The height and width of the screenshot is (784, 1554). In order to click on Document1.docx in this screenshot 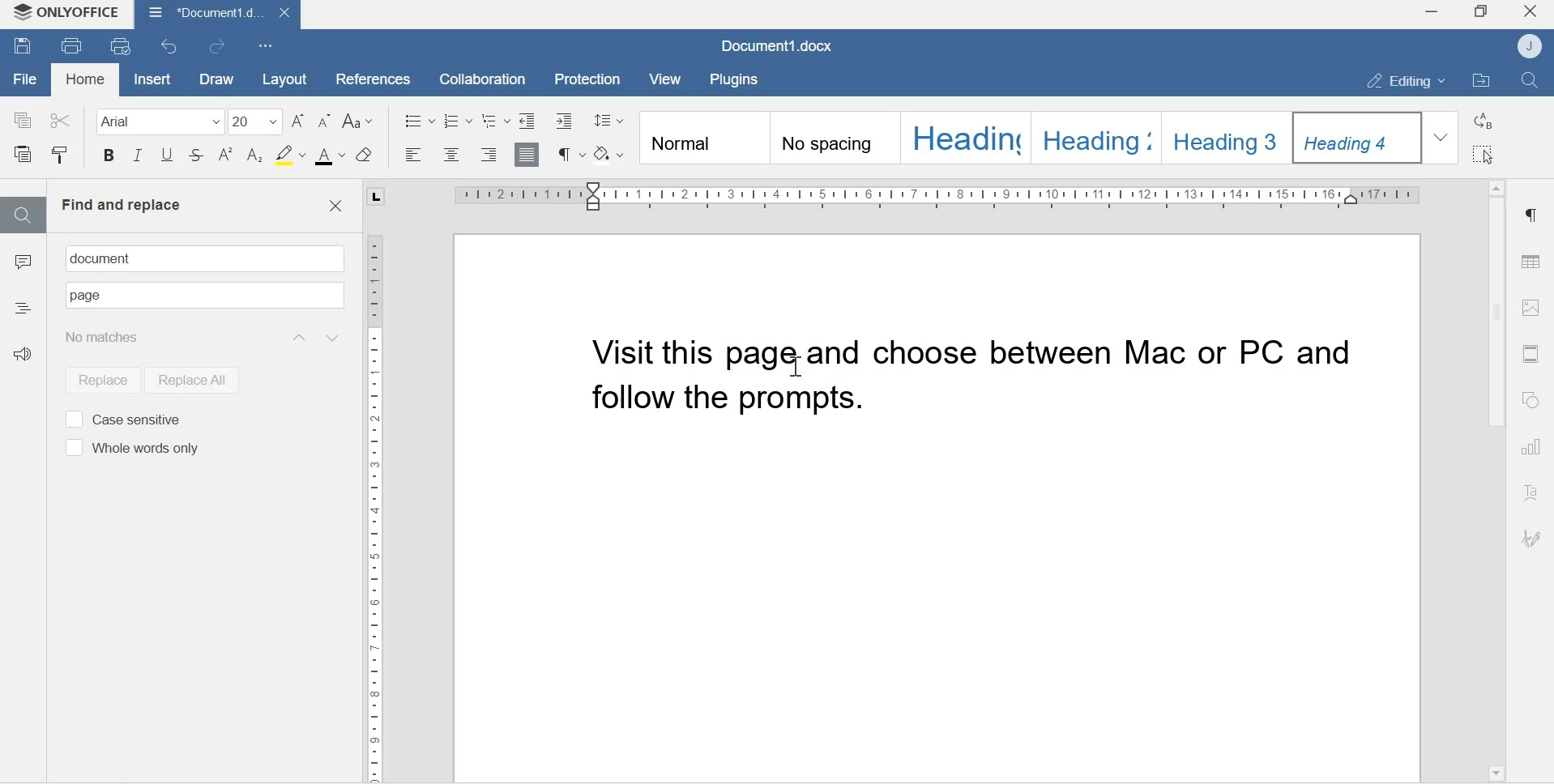, I will do `click(780, 47)`.